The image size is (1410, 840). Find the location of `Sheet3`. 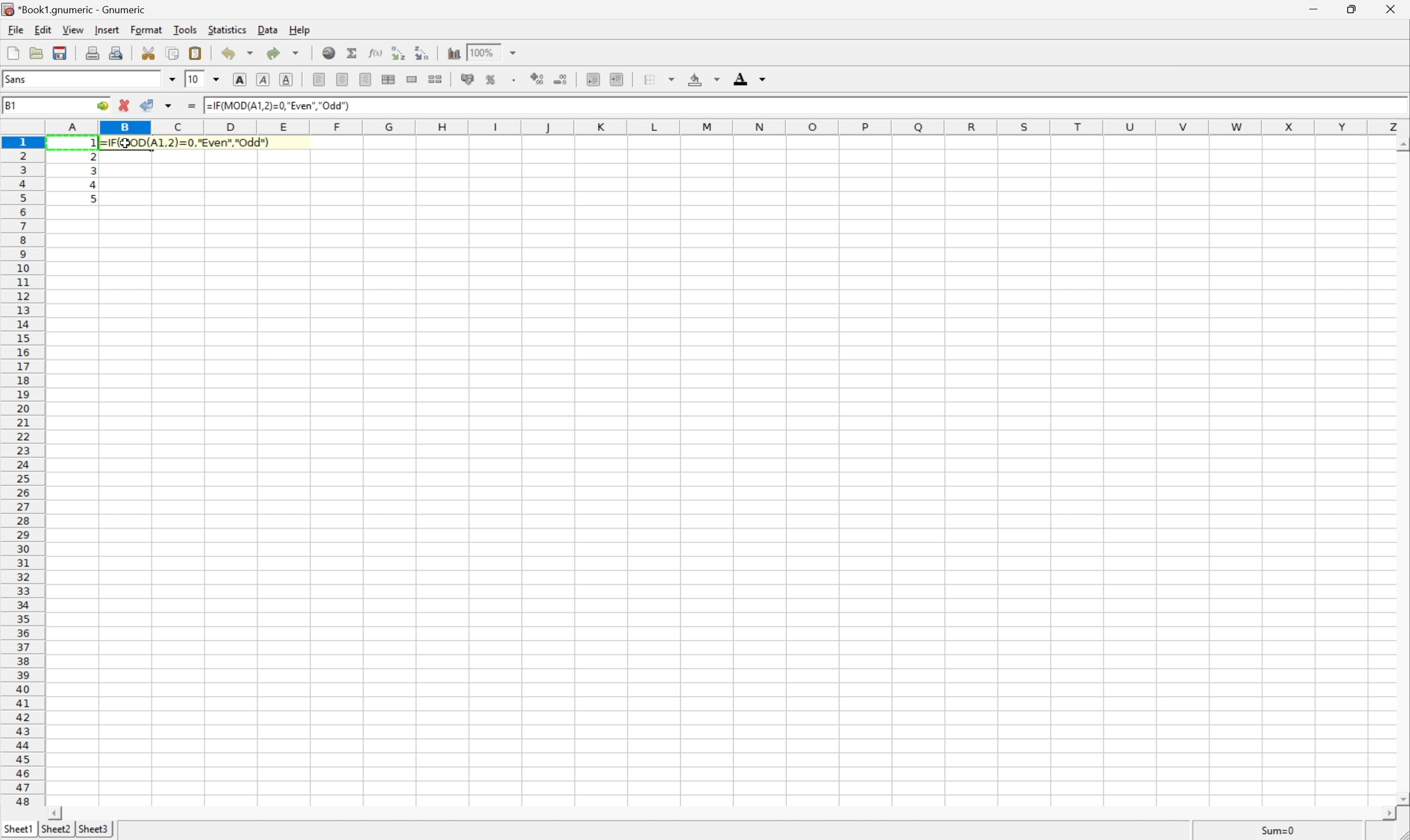

Sheet3 is located at coordinates (95, 829).